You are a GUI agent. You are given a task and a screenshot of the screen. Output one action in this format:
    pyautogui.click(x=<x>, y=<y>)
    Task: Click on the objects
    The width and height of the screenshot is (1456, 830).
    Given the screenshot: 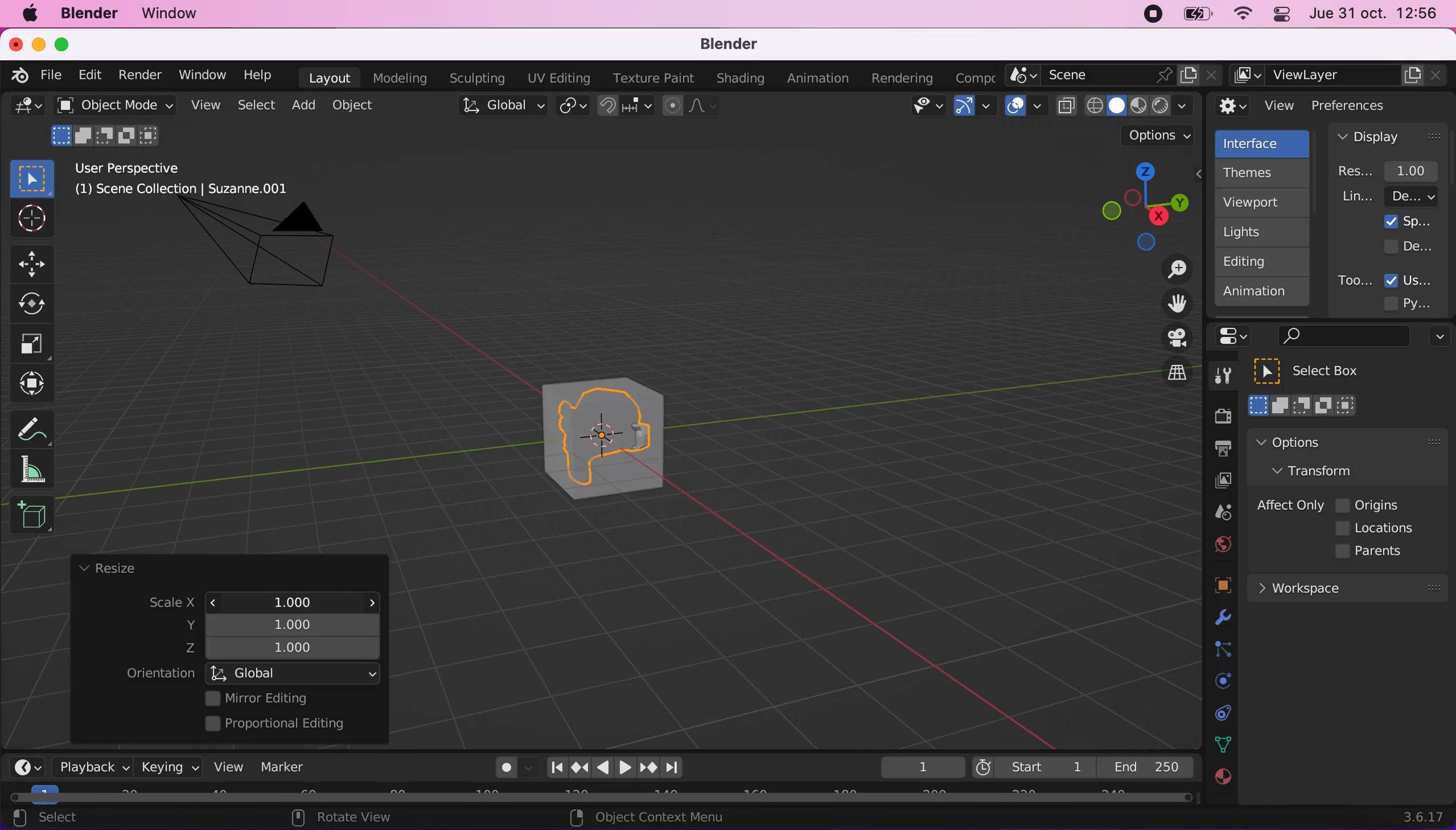 What is the action you would take?
    pyautogui.click(x=1209, y=587)
    